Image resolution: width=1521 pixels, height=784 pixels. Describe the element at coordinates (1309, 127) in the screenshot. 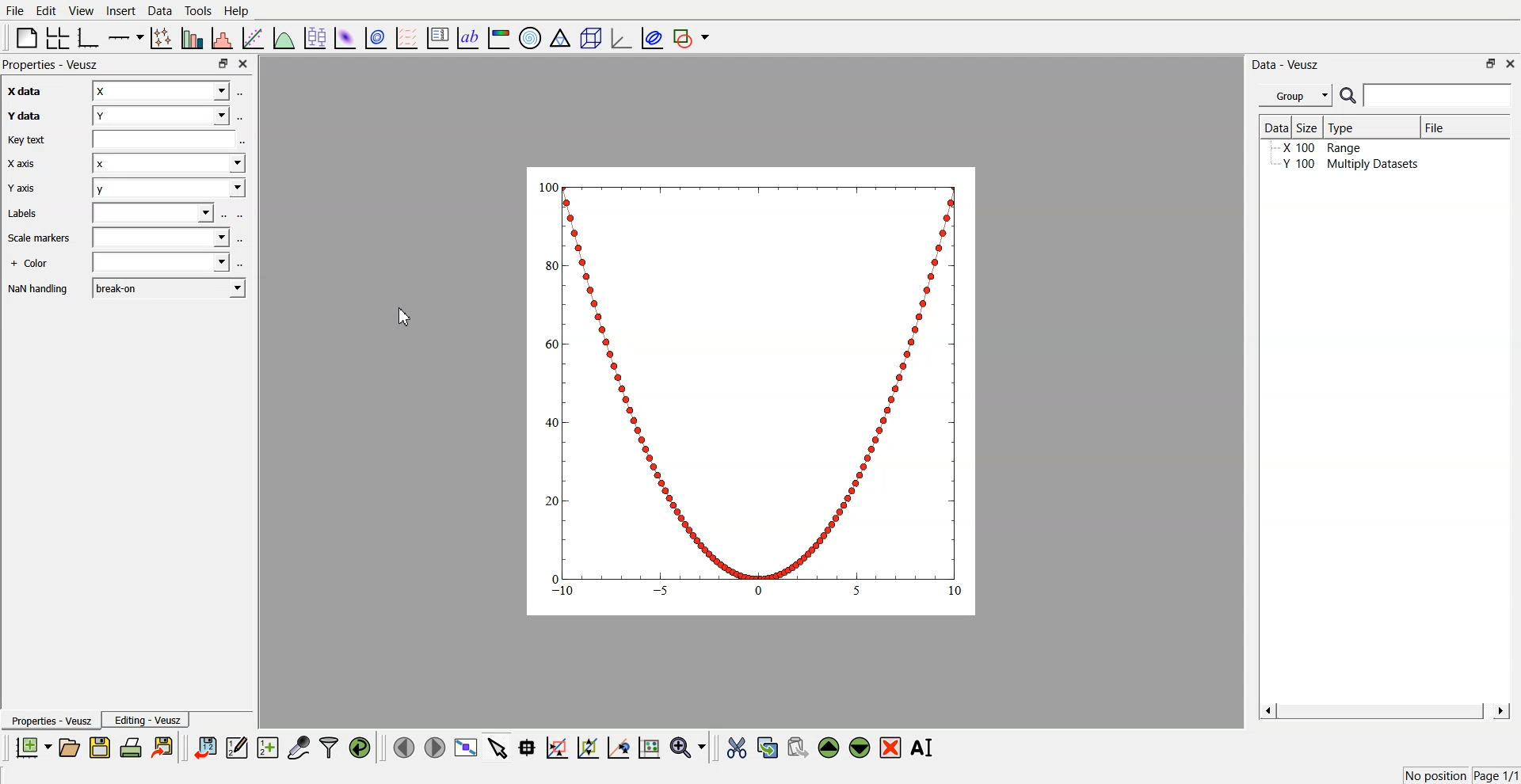

I see `Size` at that location.